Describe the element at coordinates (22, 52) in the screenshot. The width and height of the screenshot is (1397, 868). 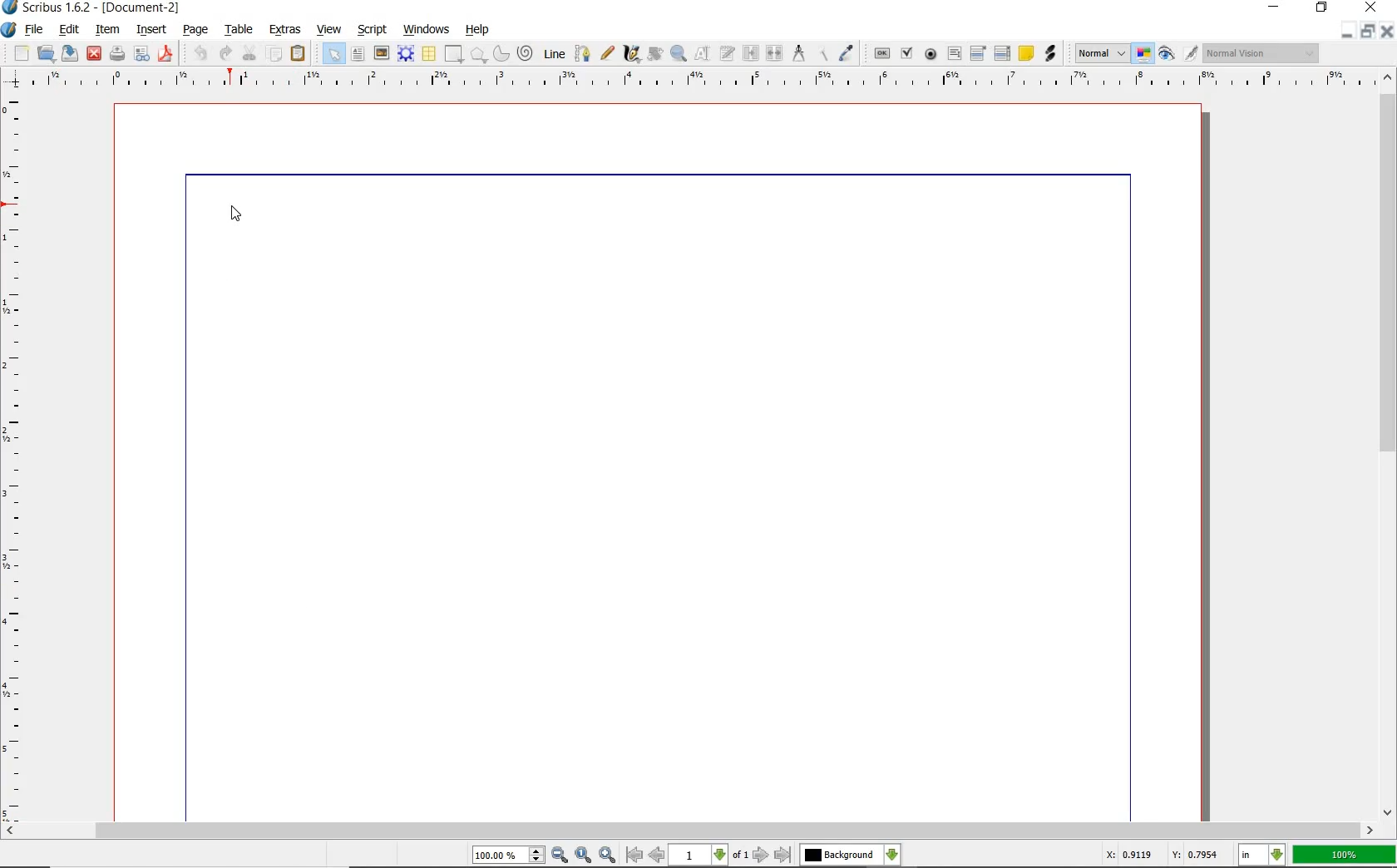
I see `new` at that location.